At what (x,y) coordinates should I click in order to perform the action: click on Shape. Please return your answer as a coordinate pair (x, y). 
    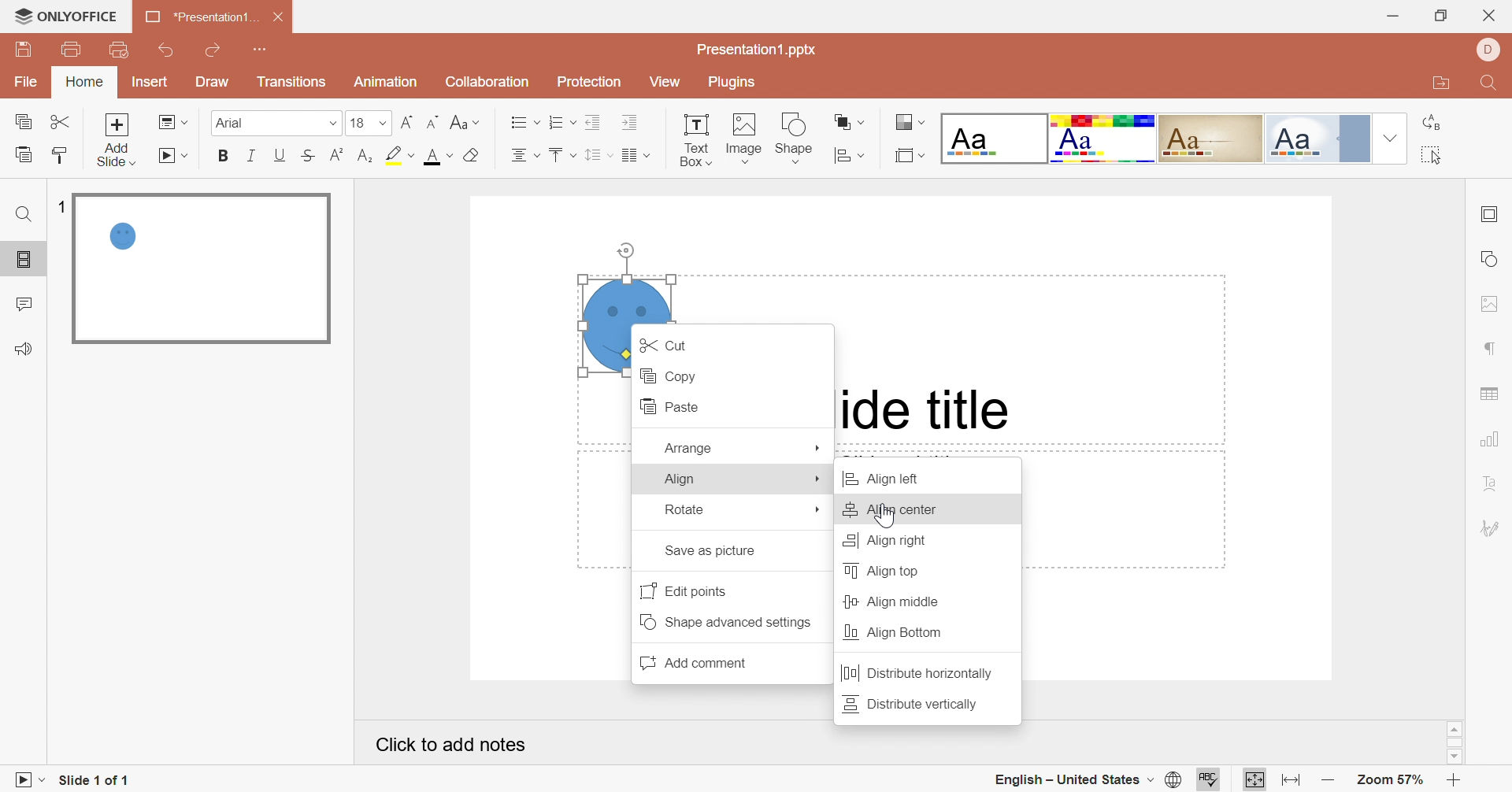
    Looking at the image, I should click on (796, 137).